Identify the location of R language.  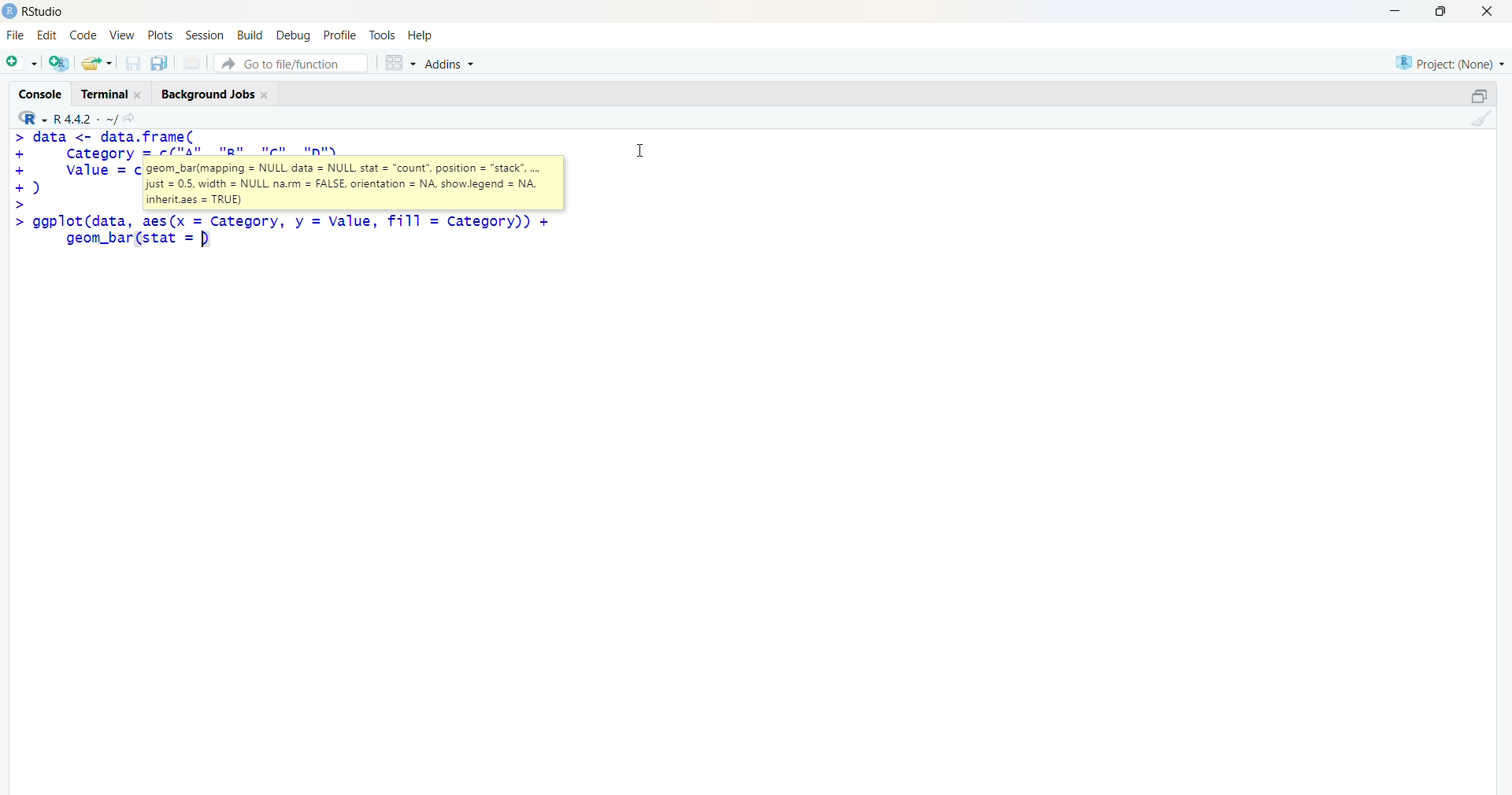
(34, 118).